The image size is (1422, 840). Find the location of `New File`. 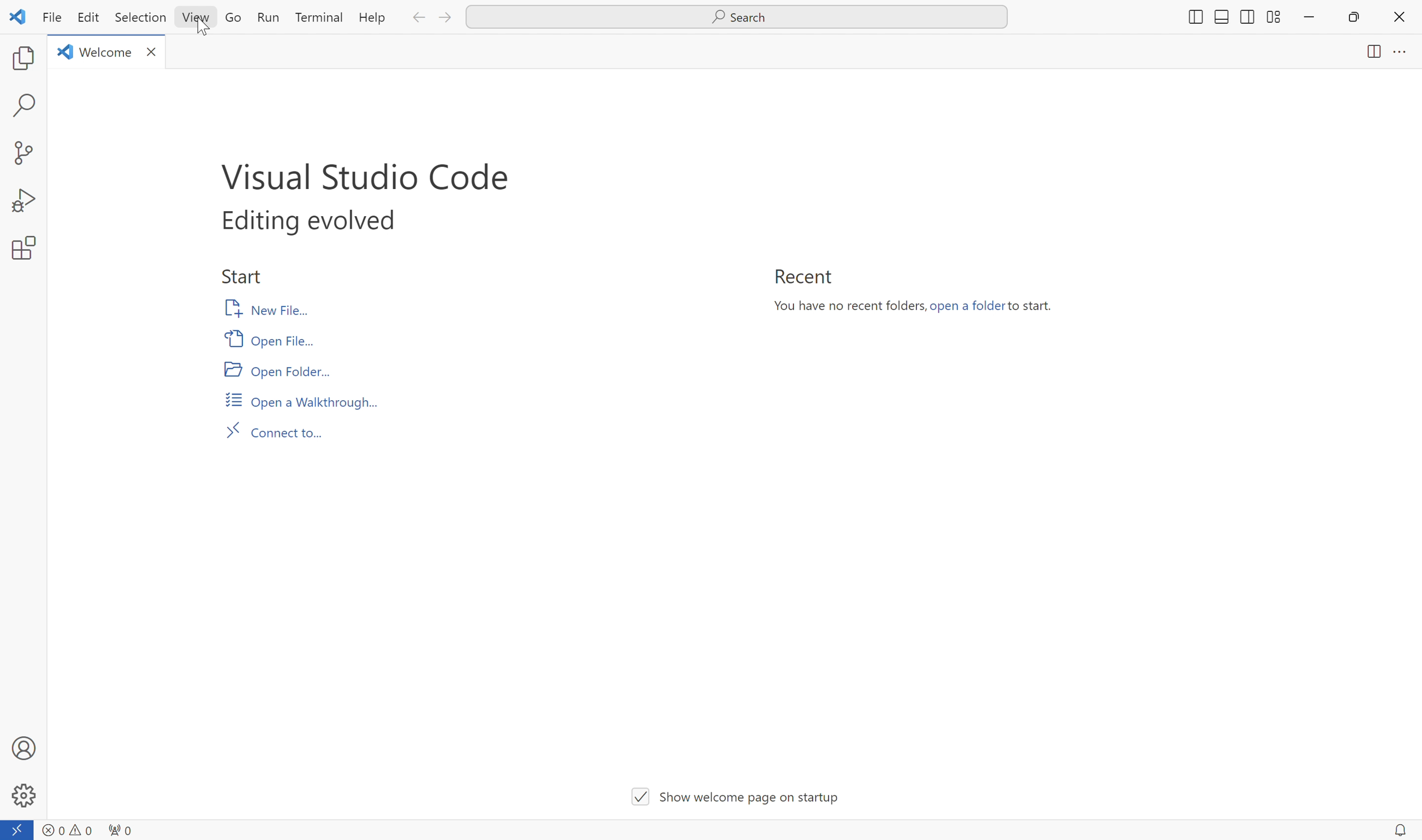

New File is located at coordinates (261, 309).